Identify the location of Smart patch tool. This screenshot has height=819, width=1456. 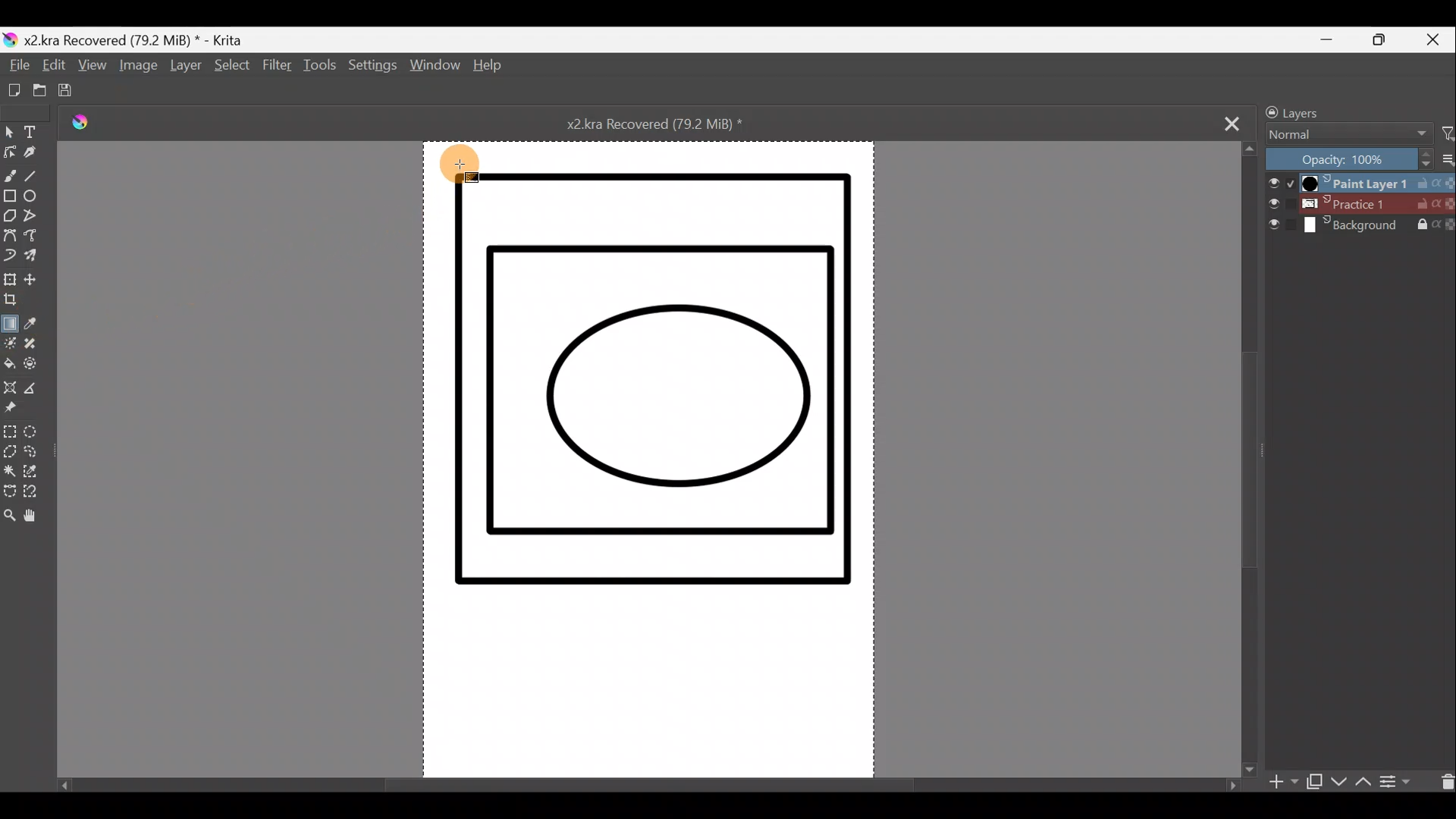
(36, 345).